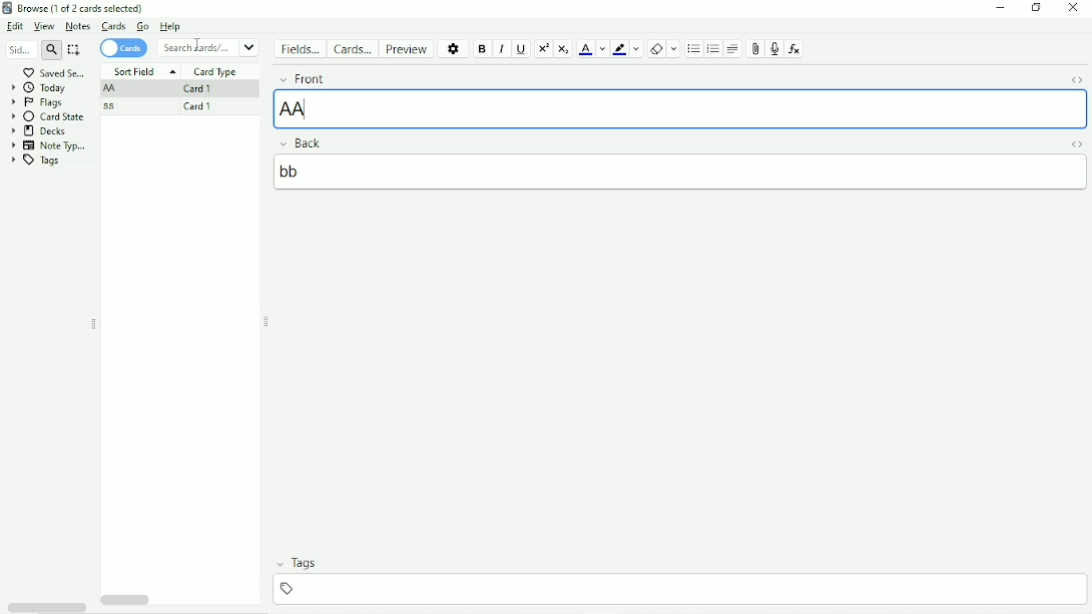 The image size is (1092, 614). What do you see at coordinates (50, 146) in the screenshot?
I see `Note Type` at bounding box center [50, 146].